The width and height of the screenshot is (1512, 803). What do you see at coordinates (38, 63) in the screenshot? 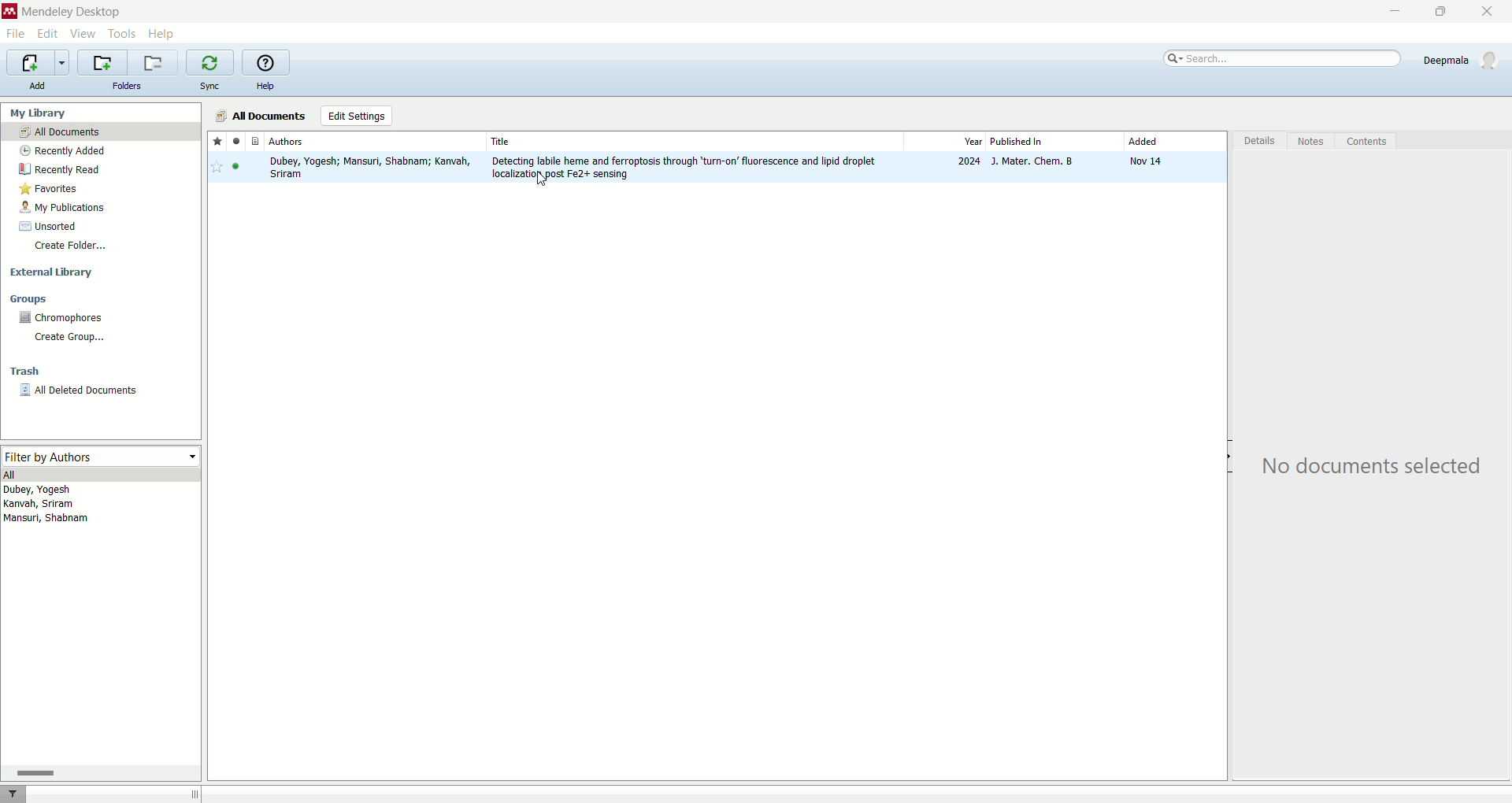
I see `import` at bounding box center [38, 63].